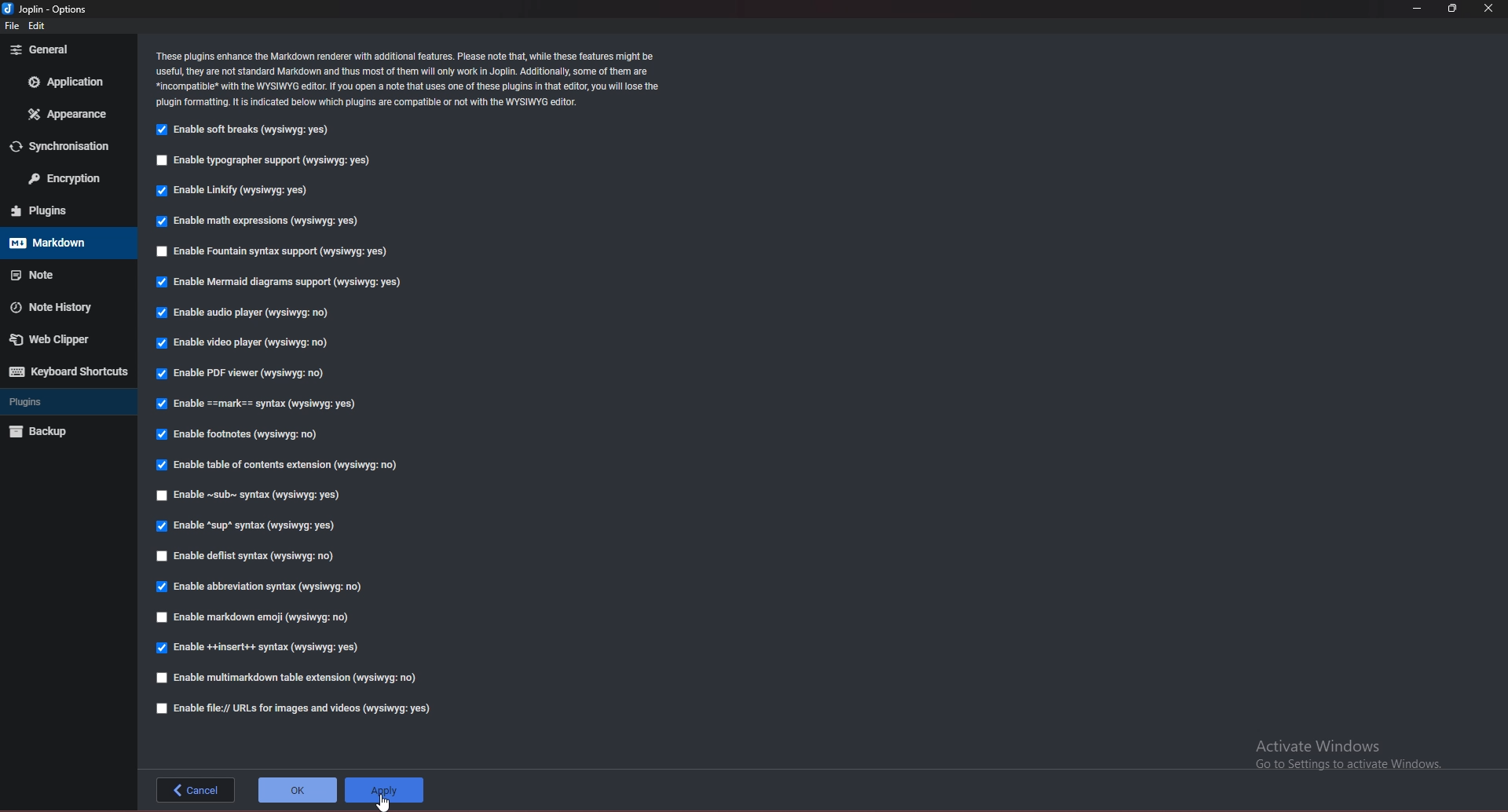 The image size is (1508, 812). What do you see at coordinates (64, 272) in the screenshot?
I see `note` at bounding box center [64, 272].